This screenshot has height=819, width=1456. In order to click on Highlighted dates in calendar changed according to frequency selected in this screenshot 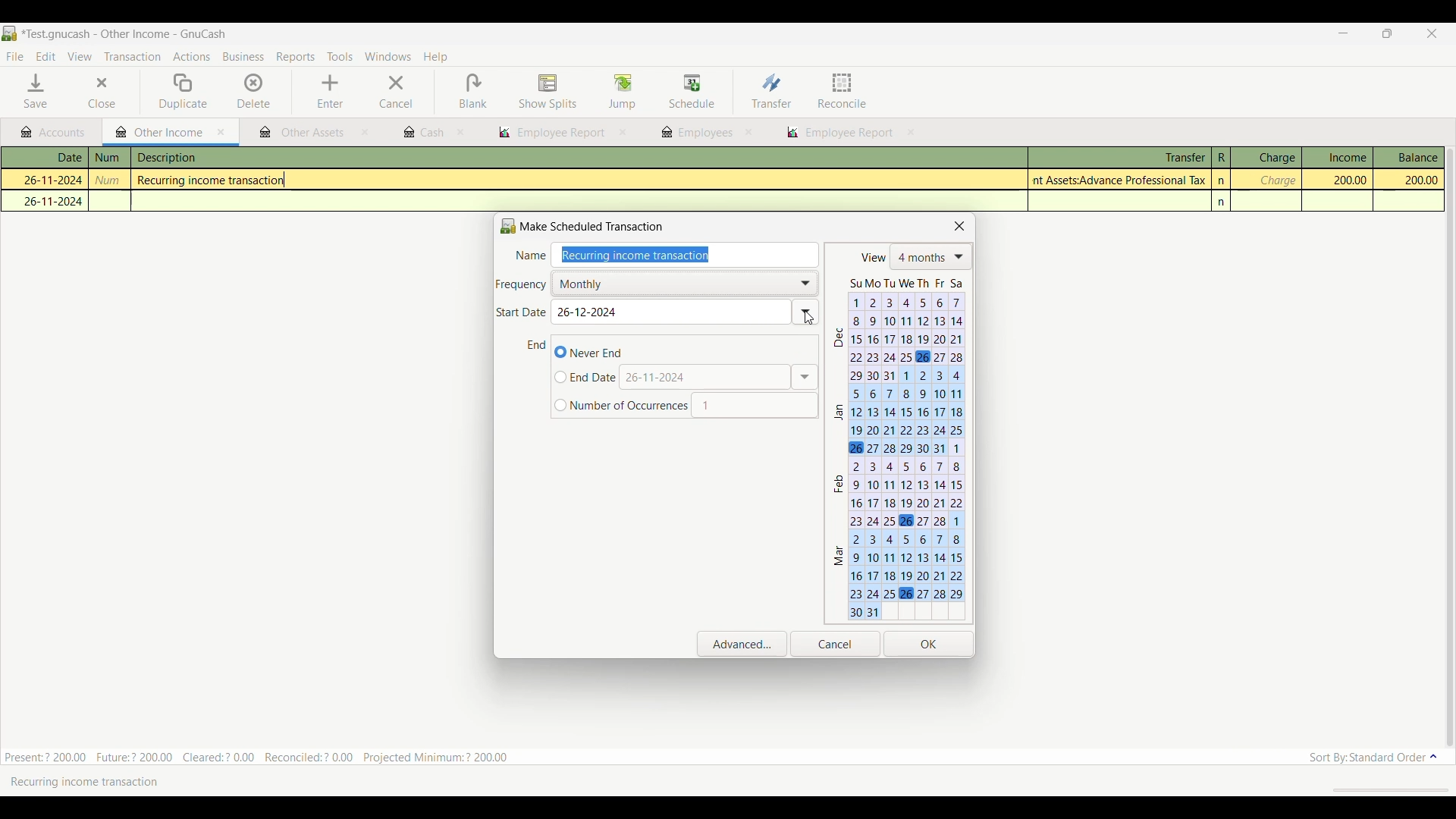, I will do `click(898, 447)`.